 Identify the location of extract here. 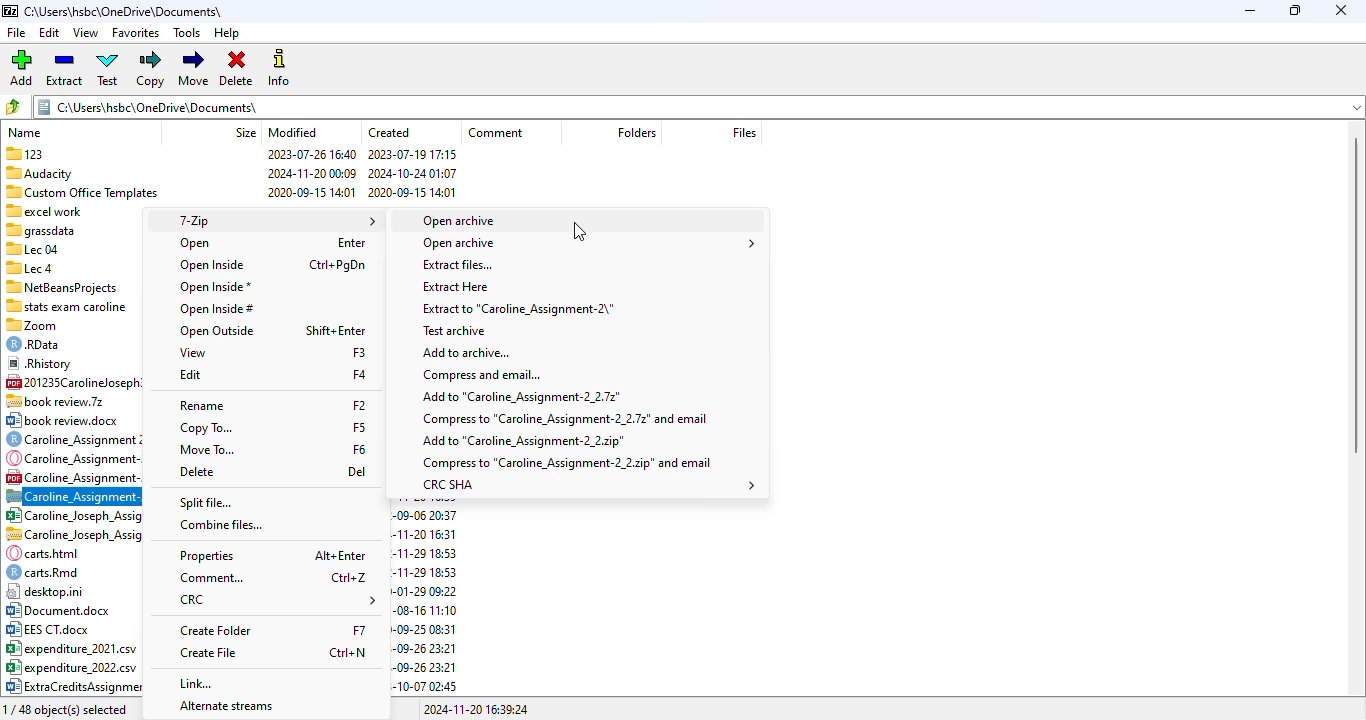
(456, 287).